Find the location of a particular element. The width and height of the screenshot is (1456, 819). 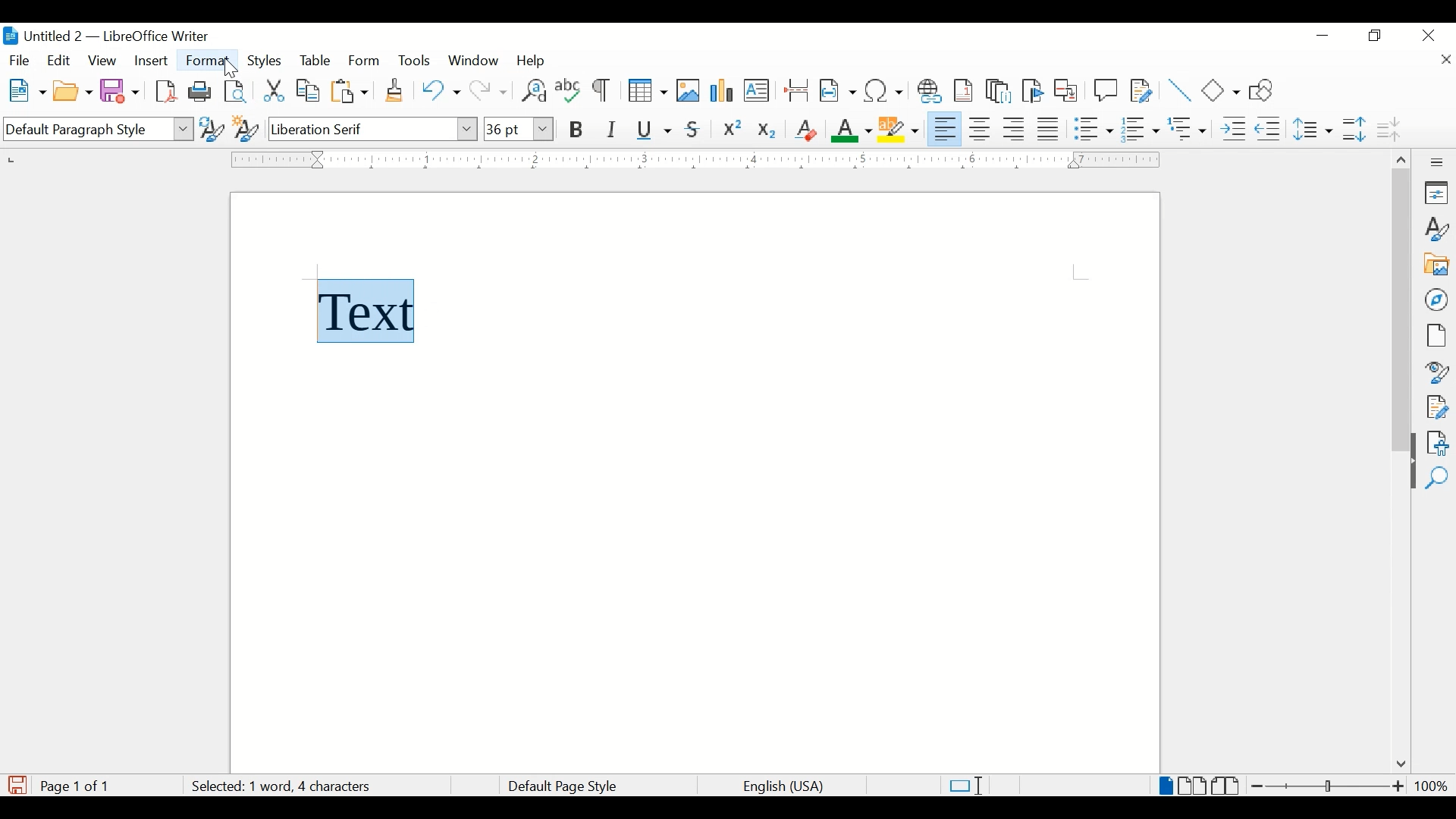

styles is located at coordinates (1438, 229).